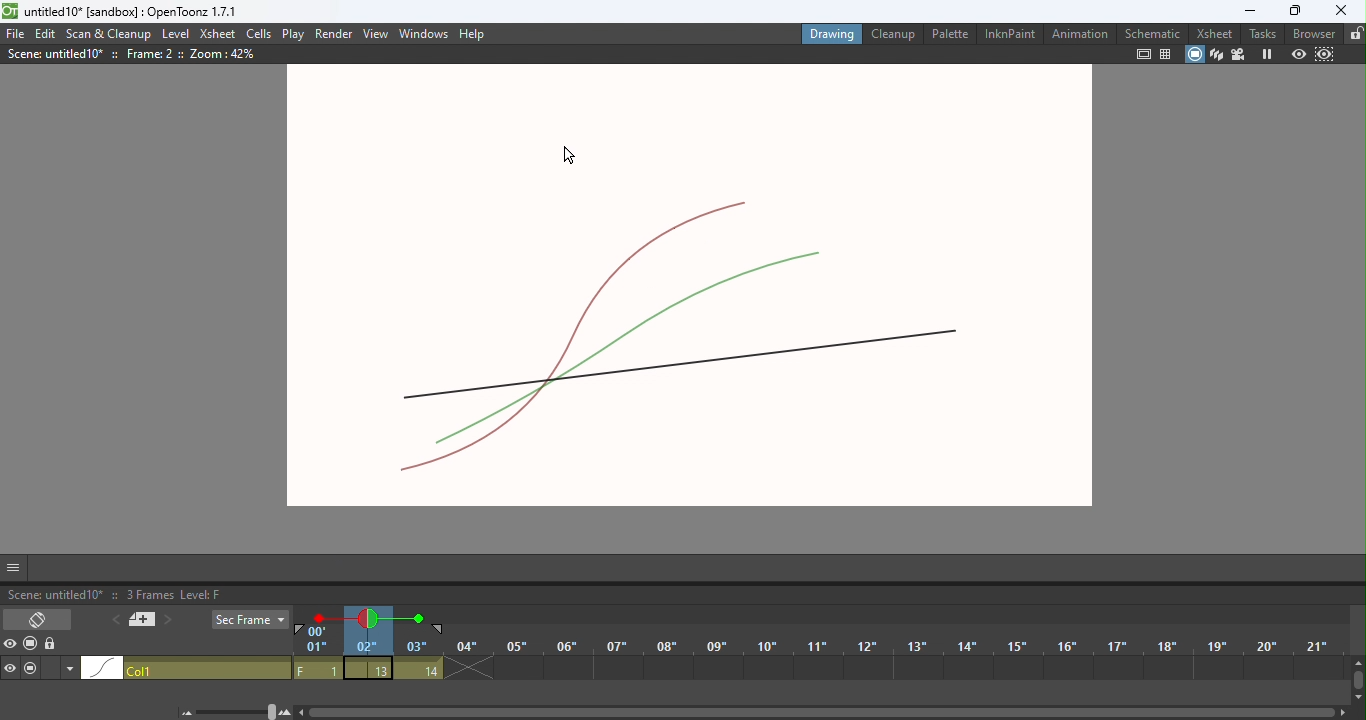  Describe the element at coordinates (13, 568) in the screenshot. I see `GUI show/hide` at that location.